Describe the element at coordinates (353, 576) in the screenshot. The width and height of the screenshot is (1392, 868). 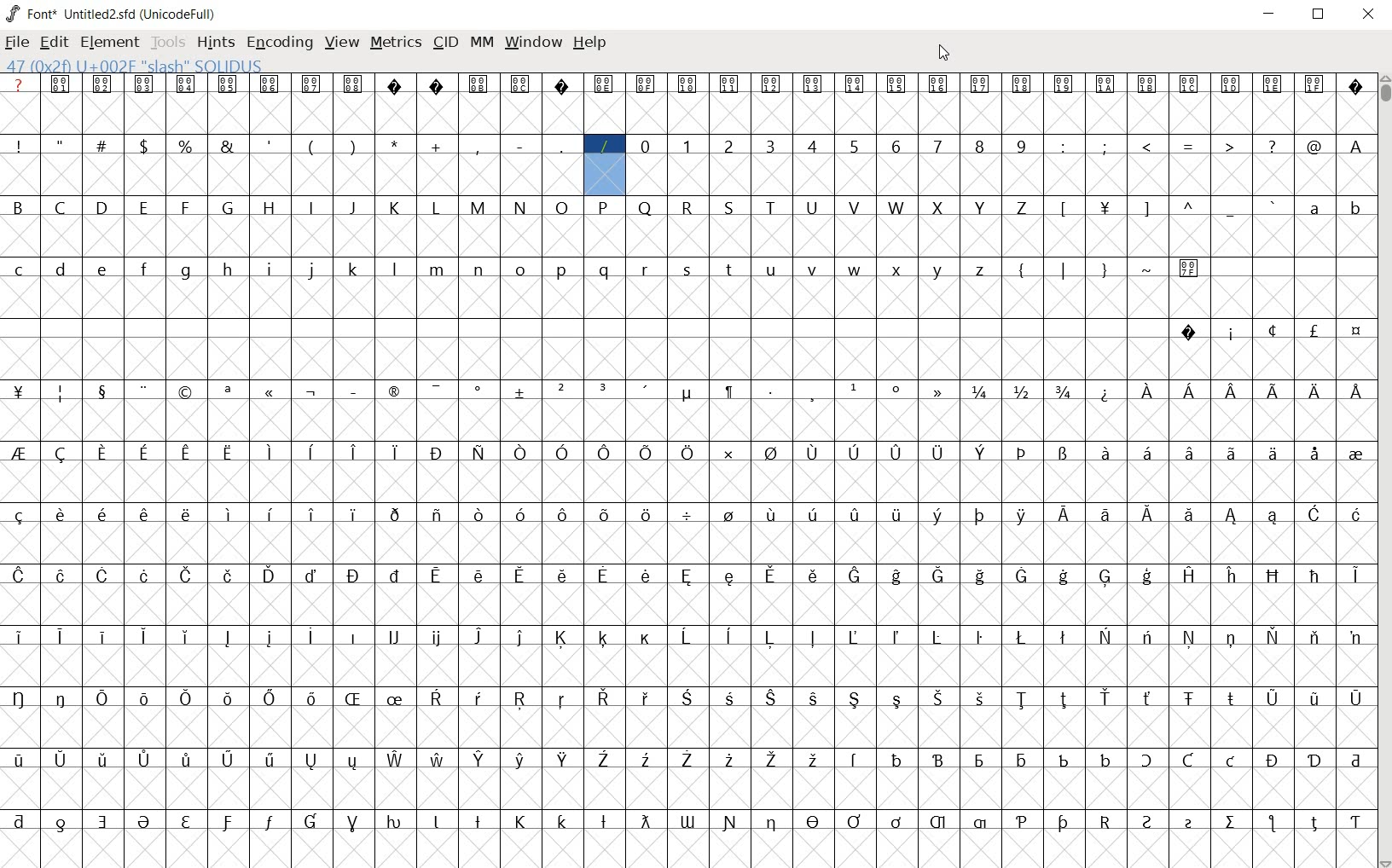
I see `glyph` at that location.